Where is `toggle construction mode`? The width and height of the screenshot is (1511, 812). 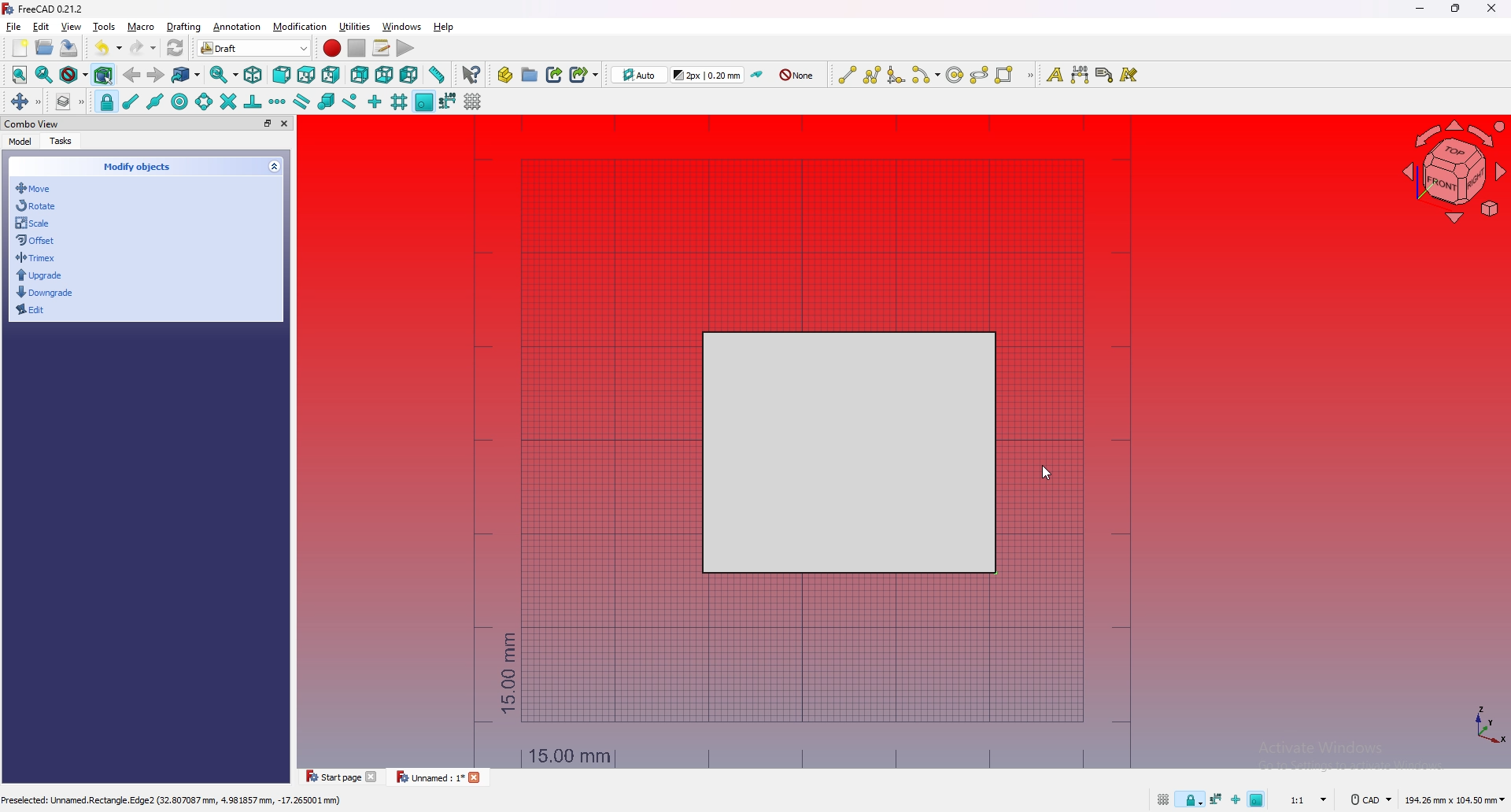
toggle construction mode is located at coordinates (758, 75).